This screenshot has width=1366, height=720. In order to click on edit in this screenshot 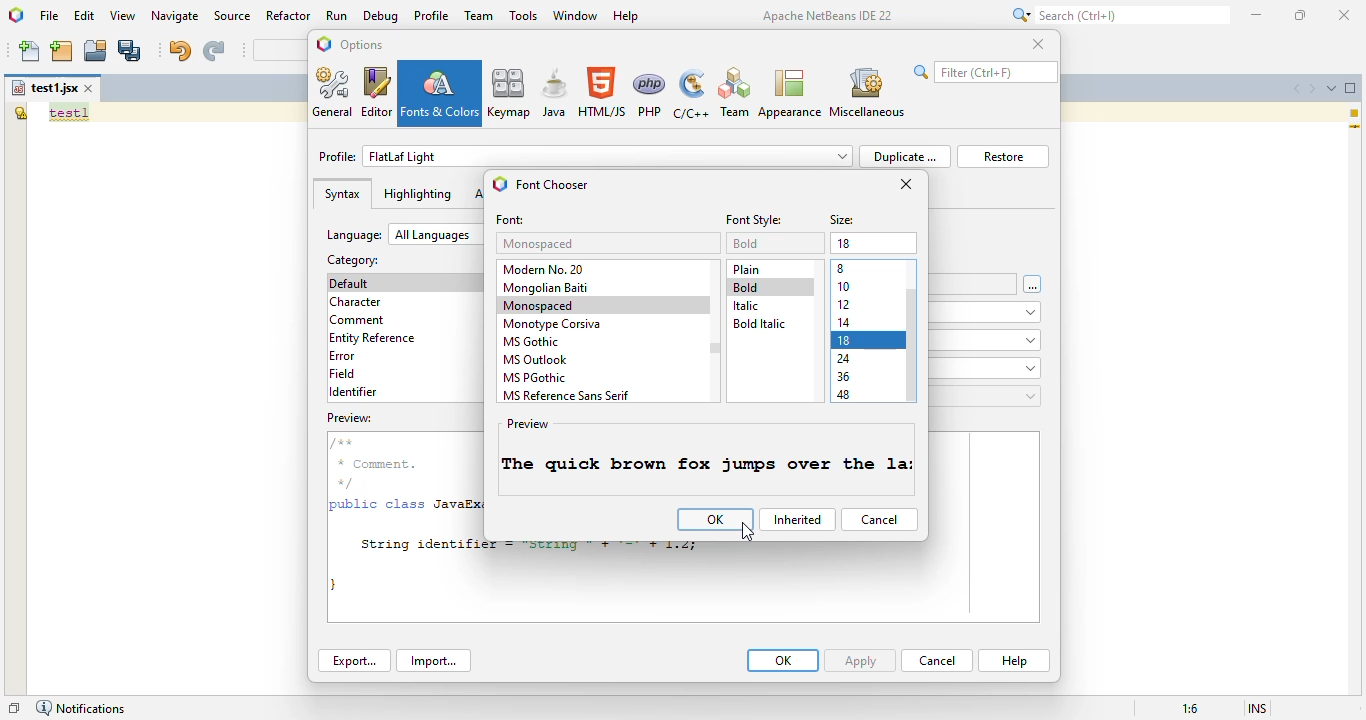, I will do `click(85, 15)`.